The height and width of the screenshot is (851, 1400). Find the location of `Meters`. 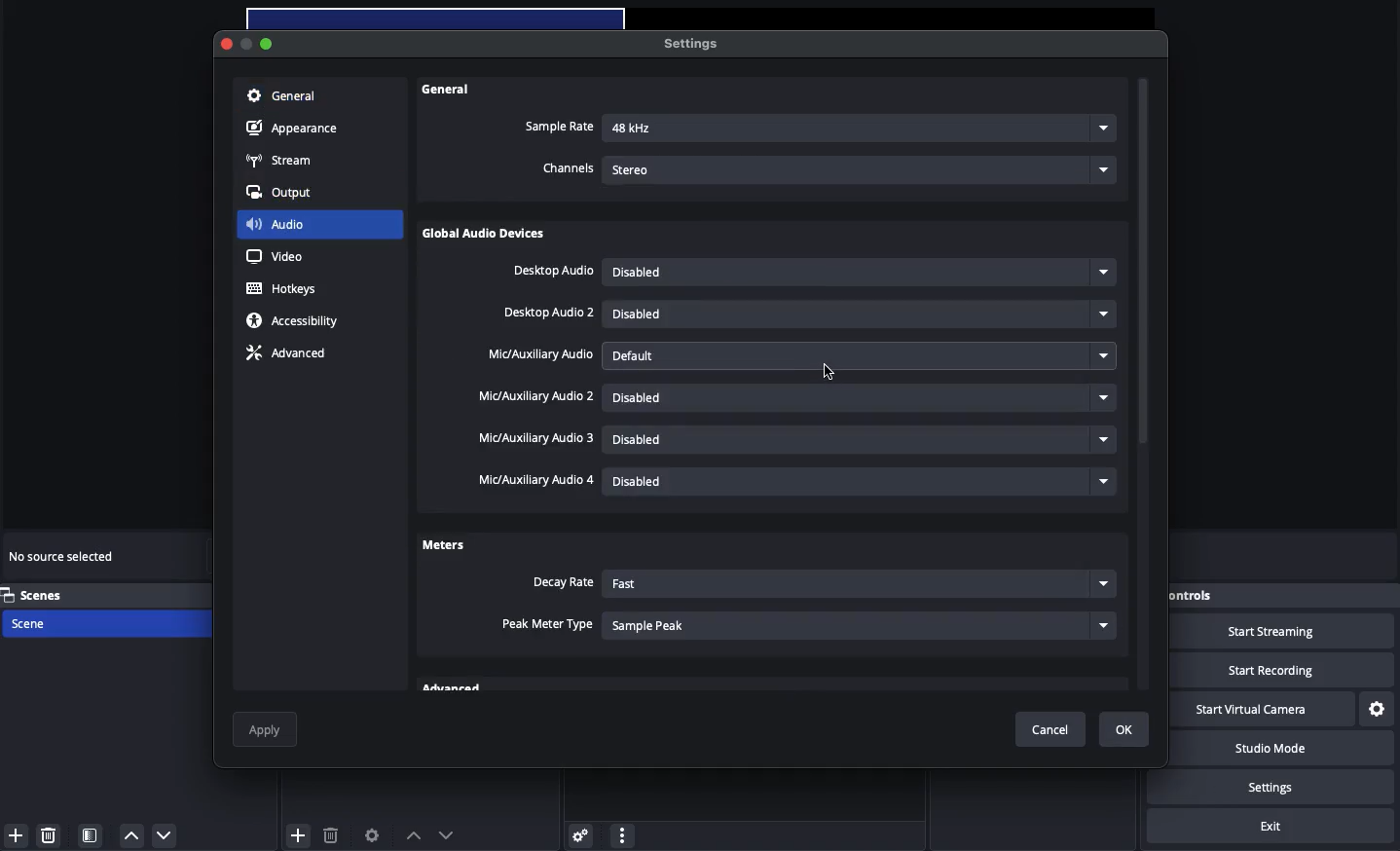

Meters is located at coordinates (443, 543).